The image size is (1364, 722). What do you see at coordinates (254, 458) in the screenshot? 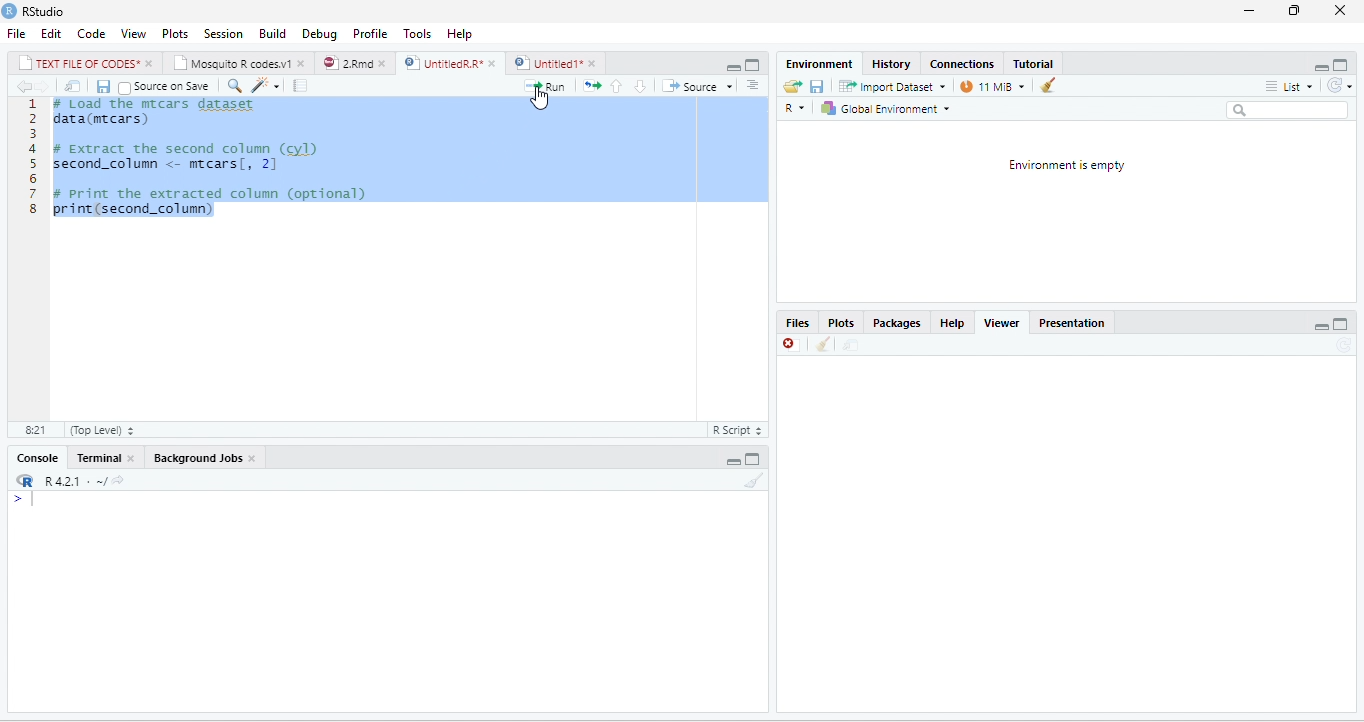
I see `close` at bounding box center [254, 458].